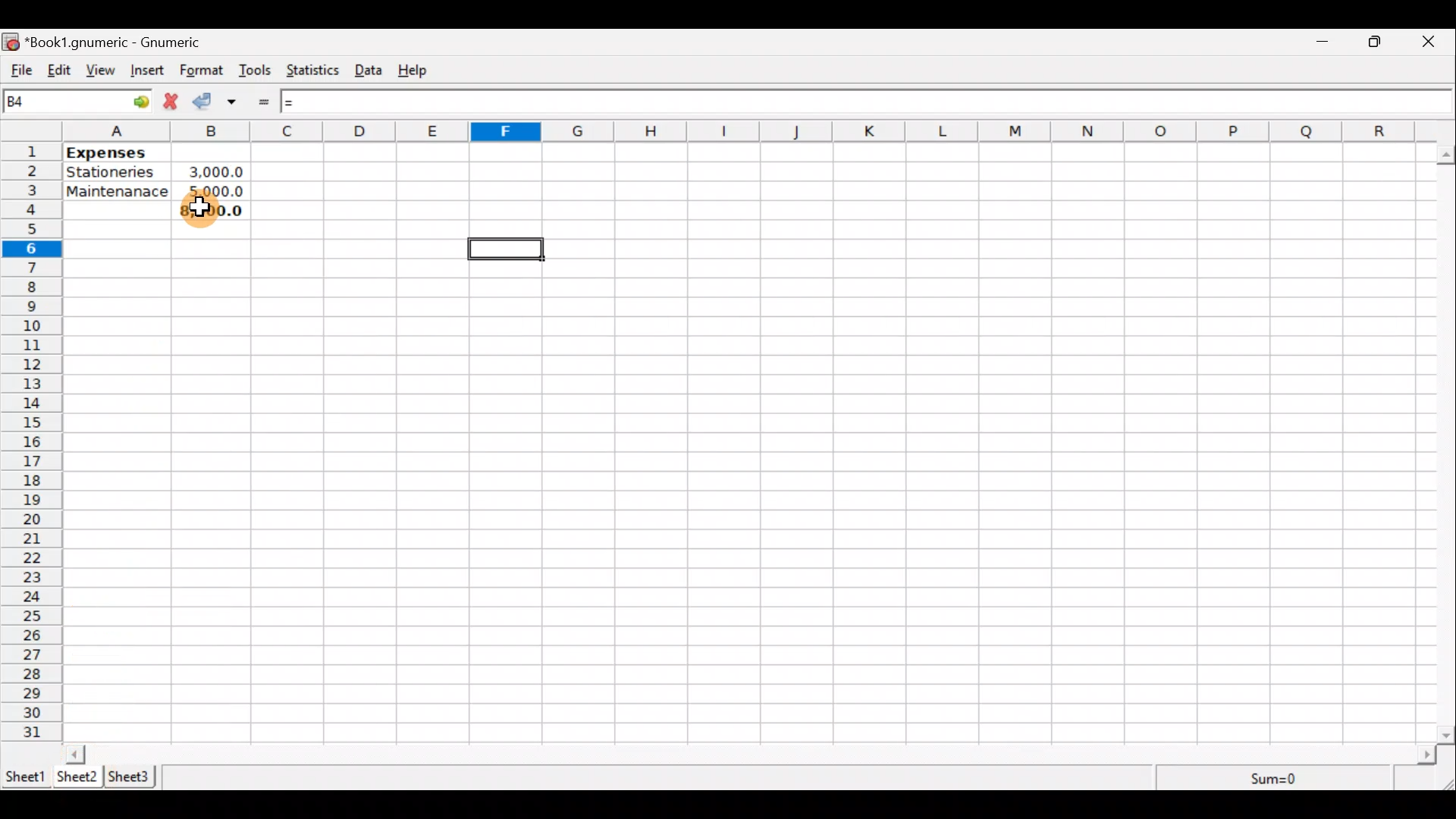 The height and width of the screenshot is (819, 1456). Describe the element at coordinates (59, 71) in the screenshot. I see `Edit` at that location.